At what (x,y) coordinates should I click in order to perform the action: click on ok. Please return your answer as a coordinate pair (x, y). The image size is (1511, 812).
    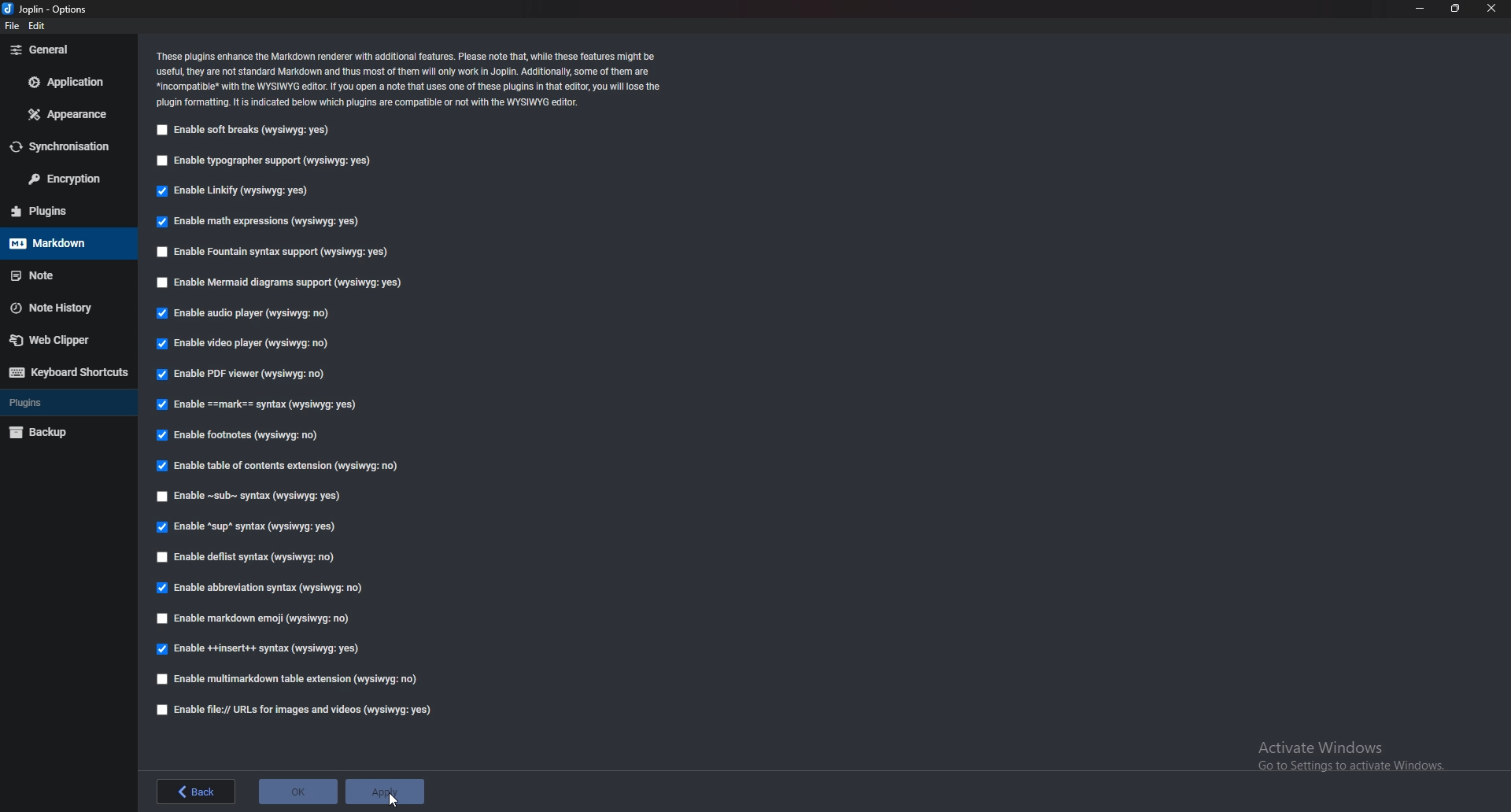
    Looking at the image, I should click on (297, 791).